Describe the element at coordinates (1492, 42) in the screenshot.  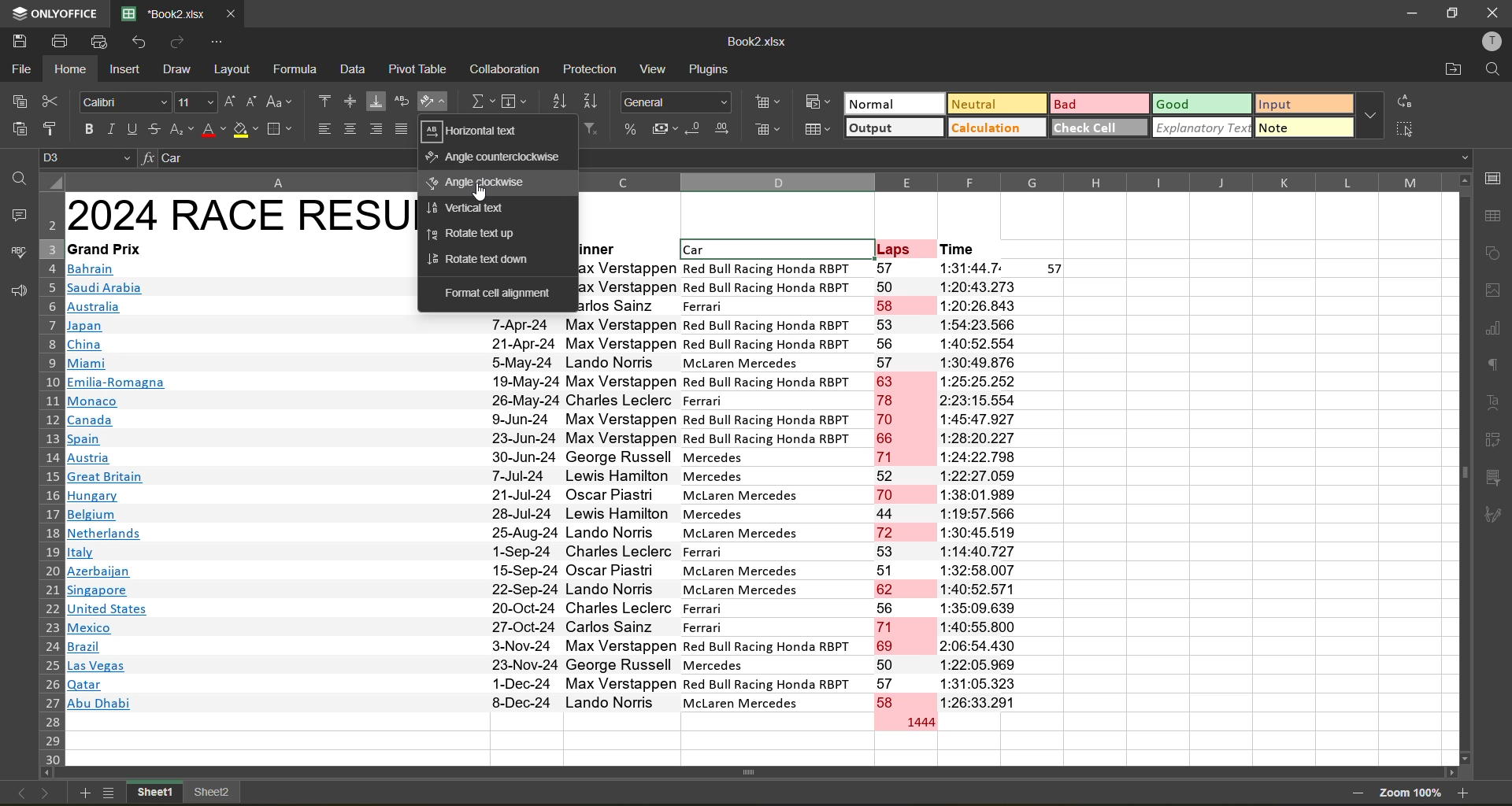
I see `profile` at that location.